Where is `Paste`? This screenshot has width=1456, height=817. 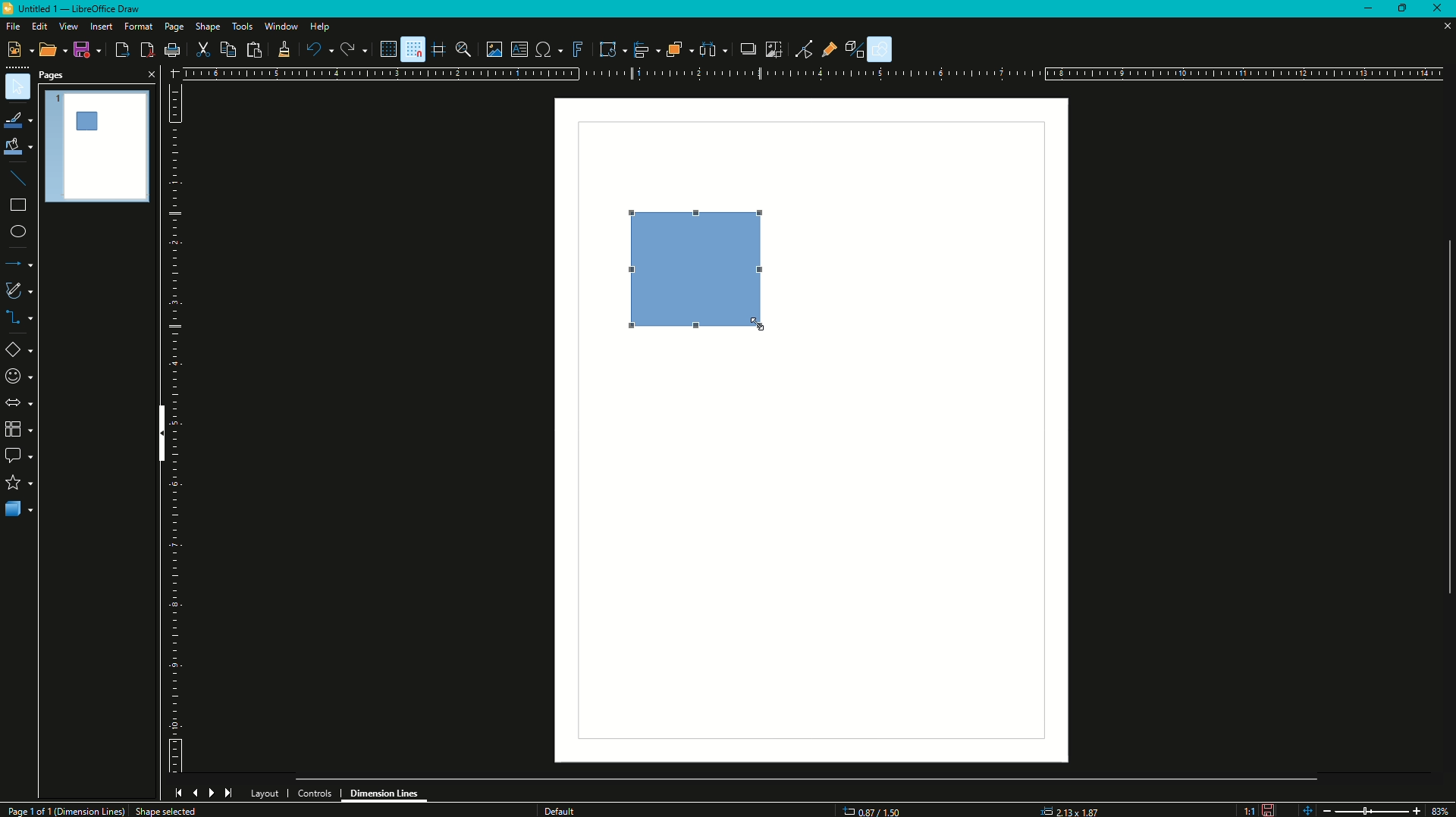 Paste is located at coordinates (253, 49).